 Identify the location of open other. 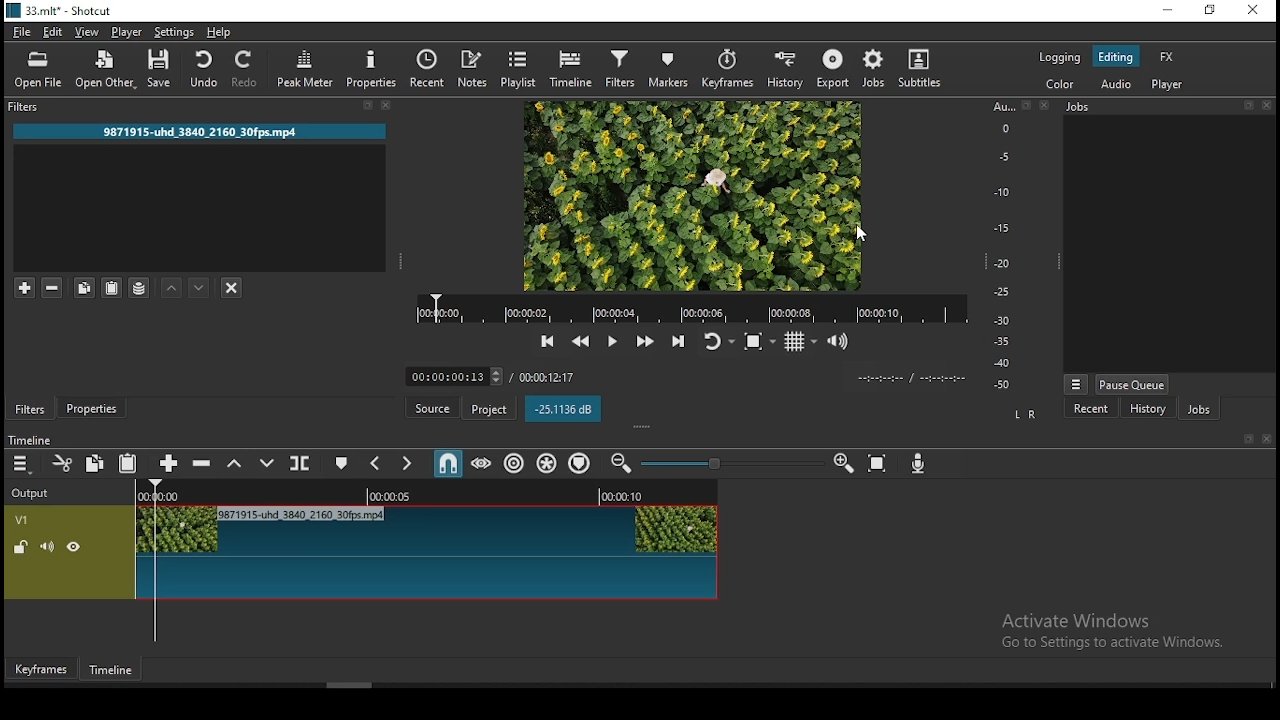
(107, 70).